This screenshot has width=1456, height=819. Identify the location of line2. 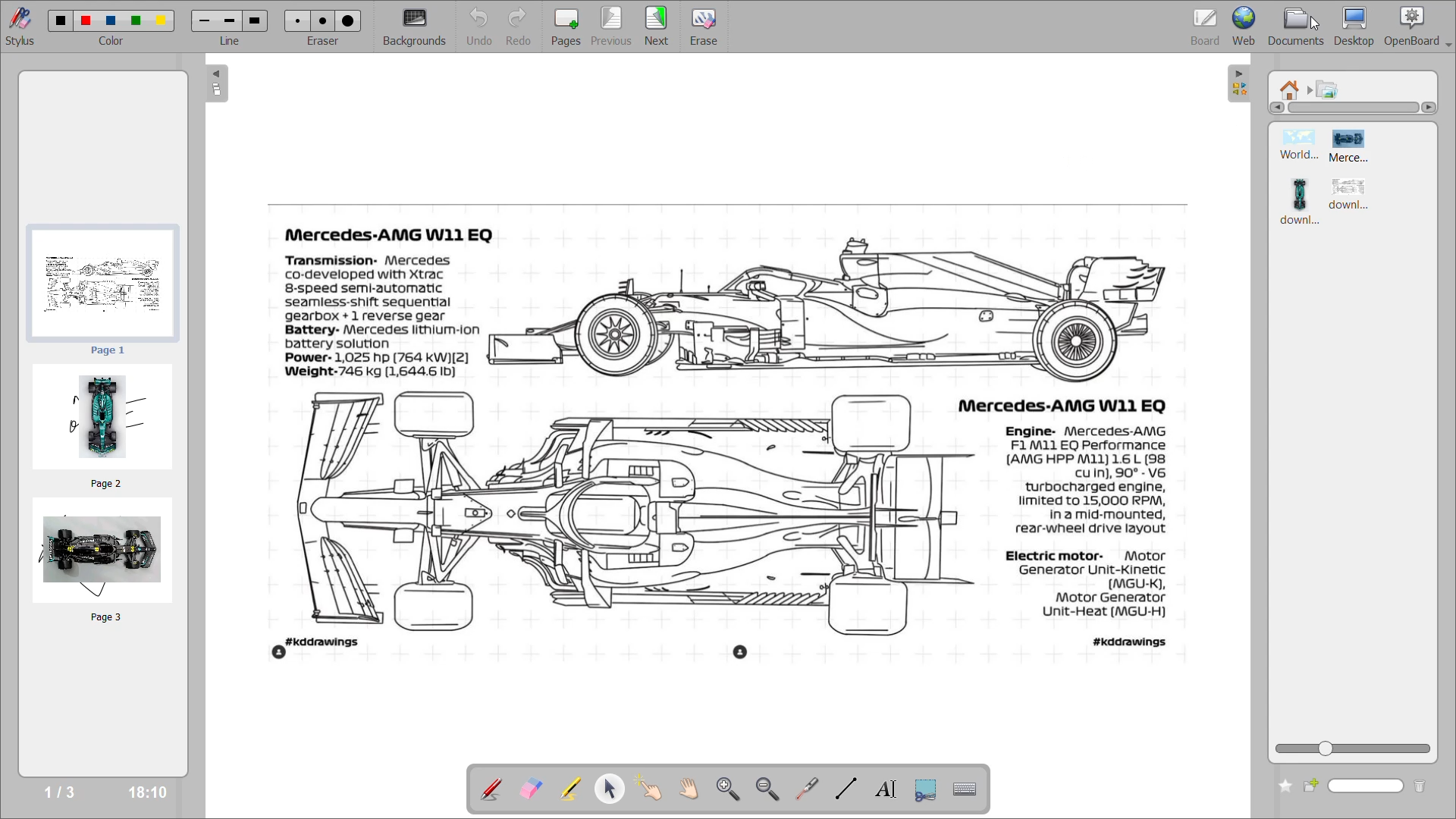
(229, 20).